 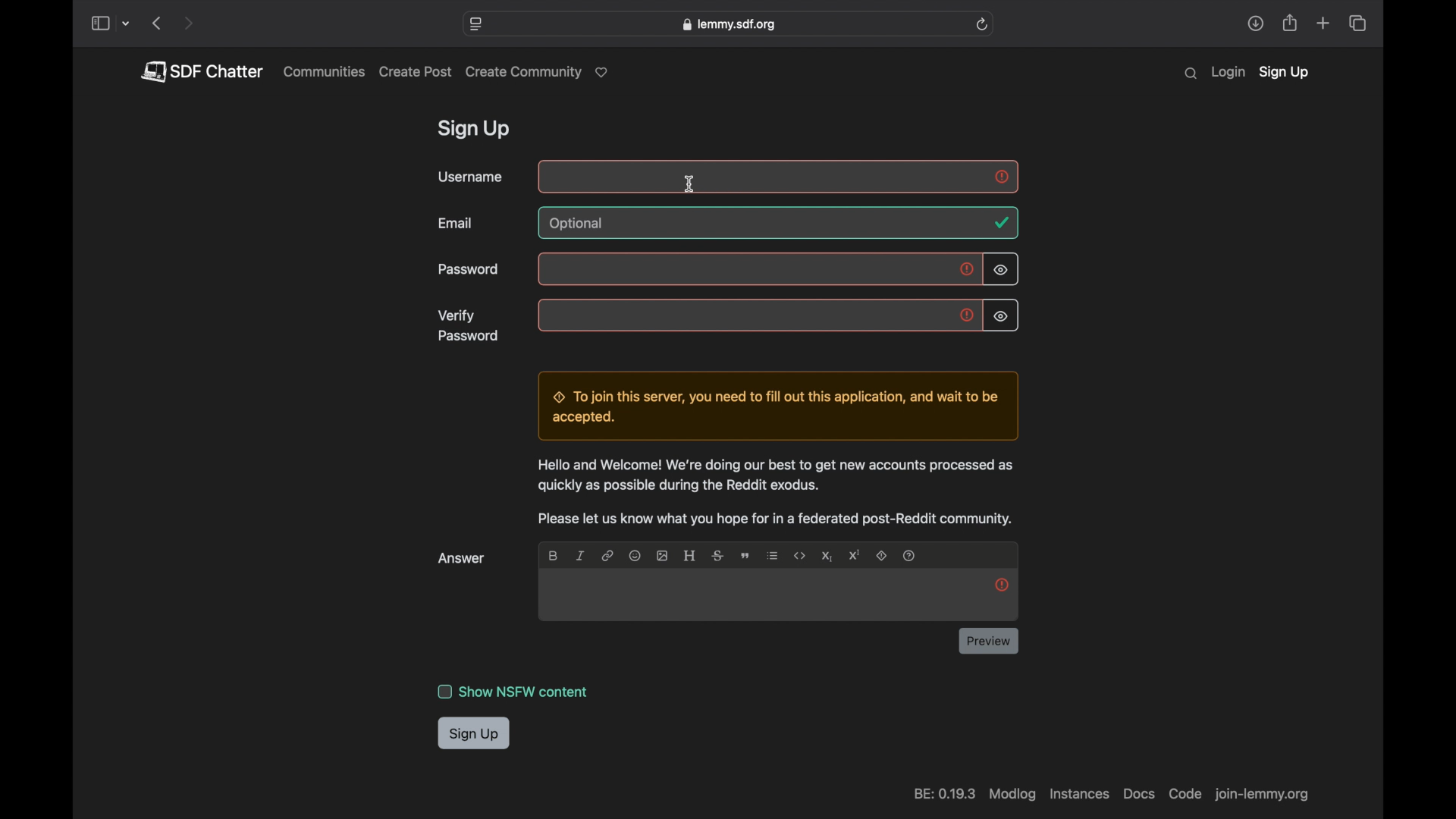 What do you see at coordinates (747, 556) in the screenshot?
I see `quote` at bounding box center [747, 556].